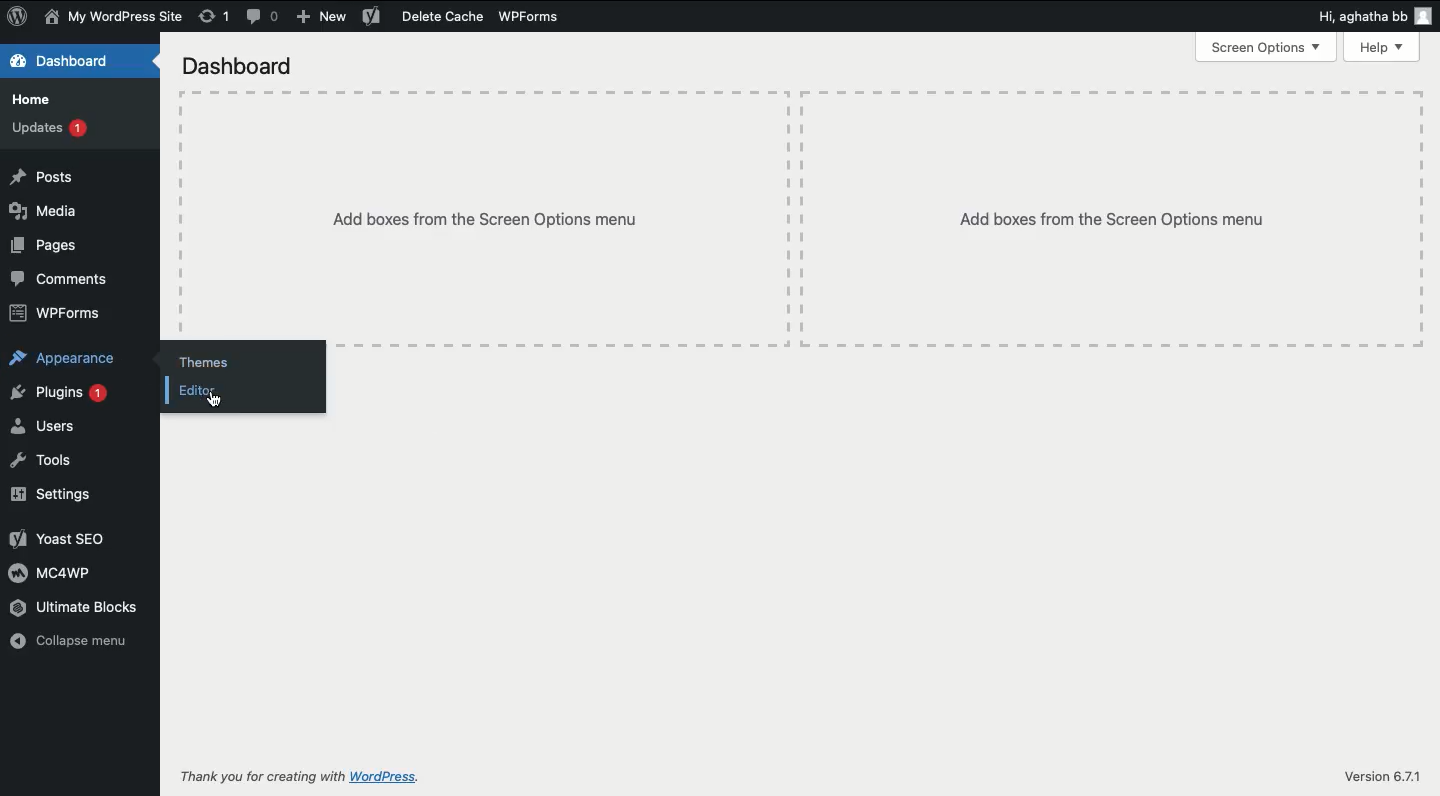 The width and height of the screenshot is (1440, 796). I want to click on Pagees, so click(50, 248).